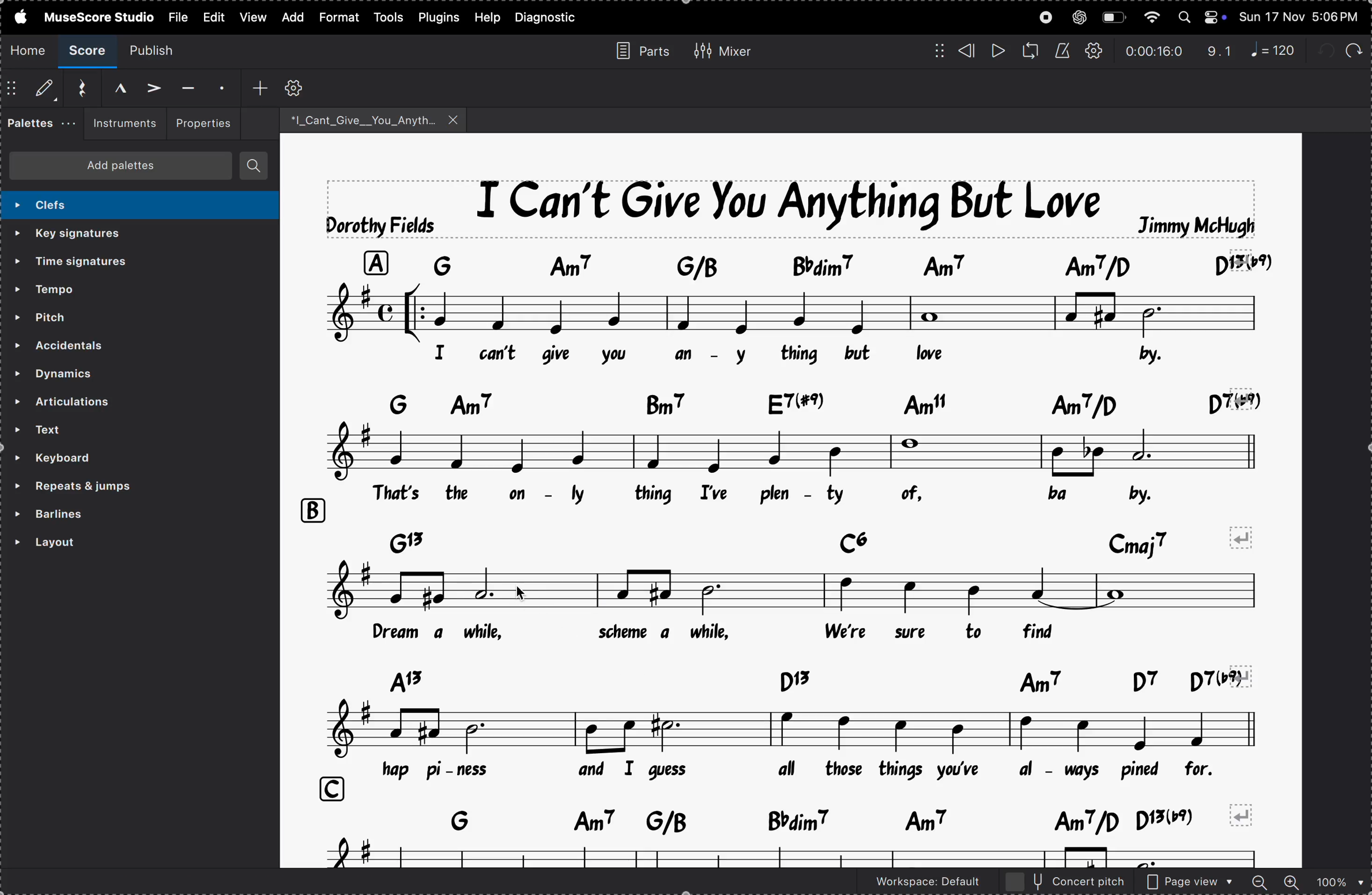  What do you see at coordinates (78, 290) in the screenshot?
I see `tempo` at bounding box center [78, 290].